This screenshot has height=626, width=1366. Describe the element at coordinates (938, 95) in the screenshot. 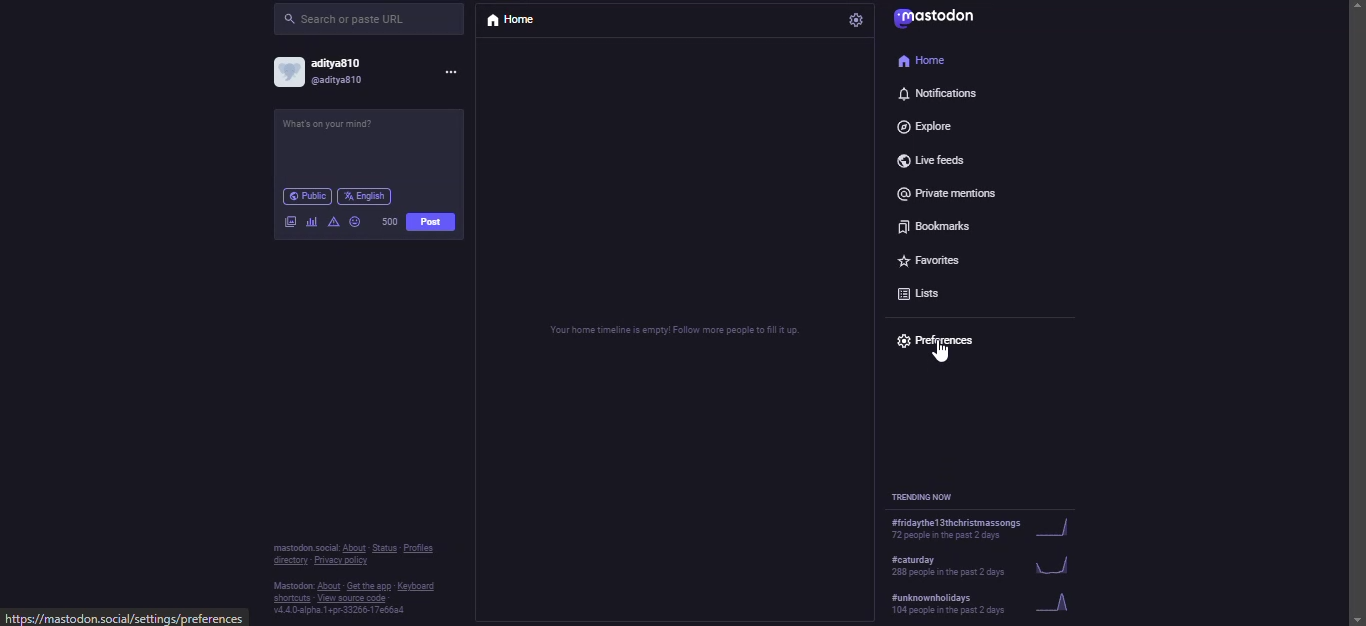

I see `notifications` at that location.